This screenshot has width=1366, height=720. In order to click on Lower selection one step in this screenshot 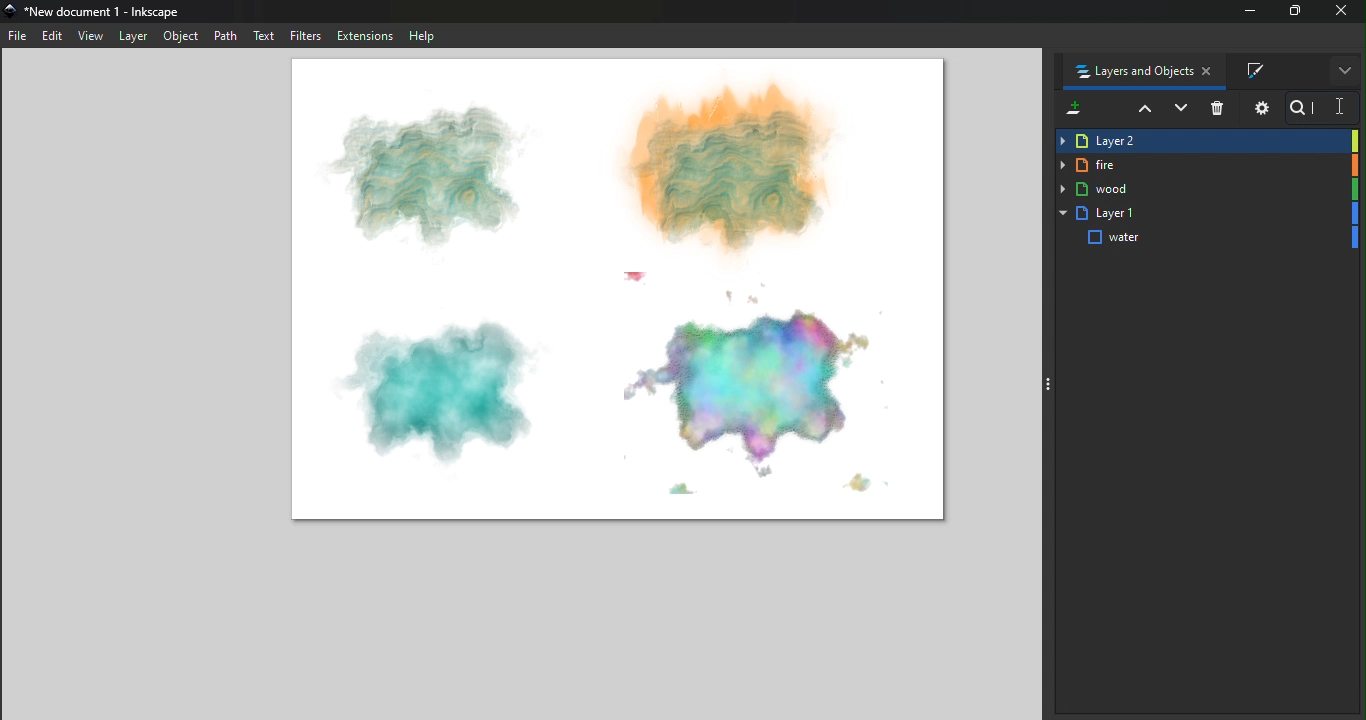, I will do `click(1180, 110)`.